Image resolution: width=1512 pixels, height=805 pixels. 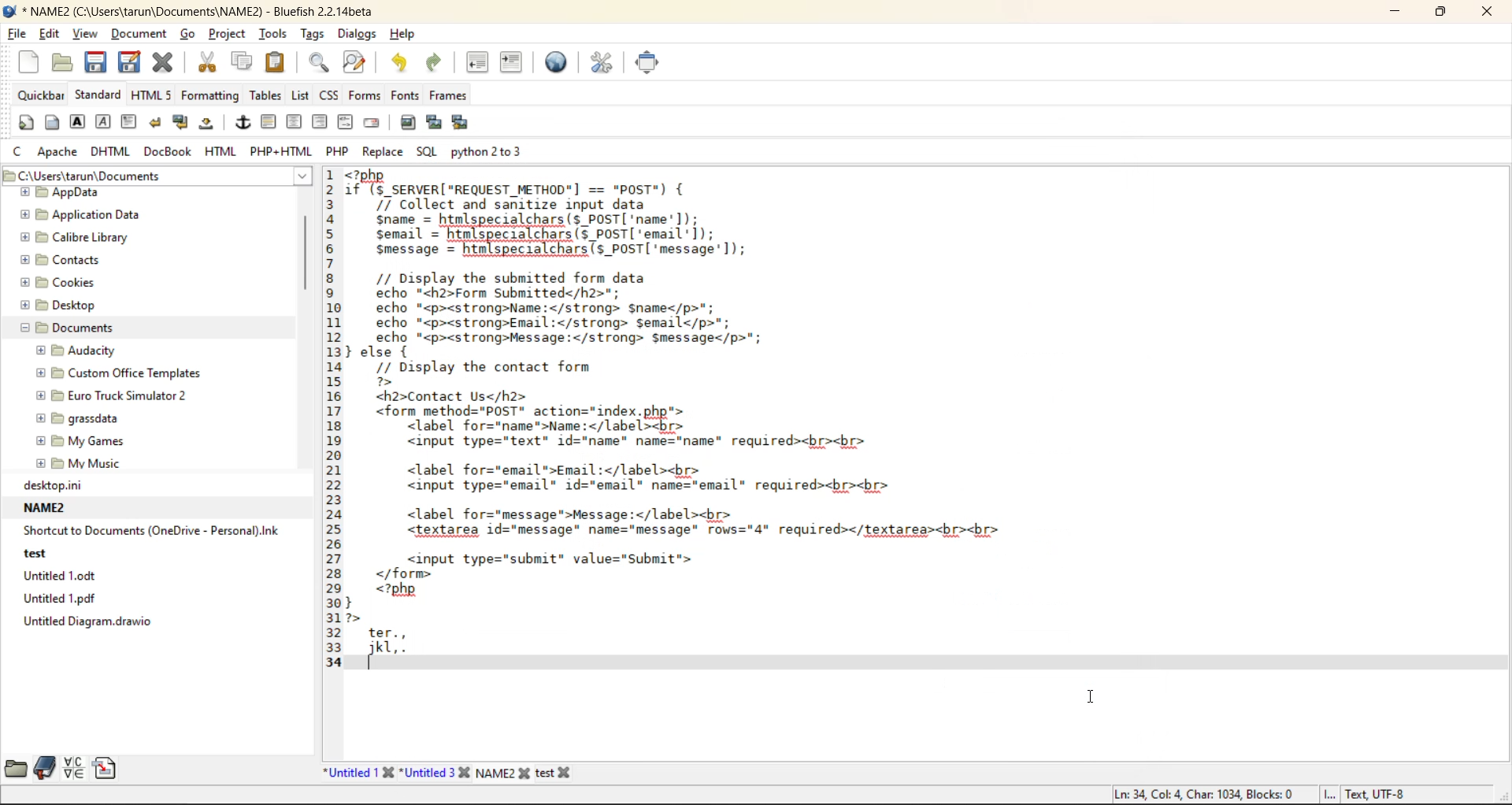 I want to click on close file, so click(x=163, y=62).